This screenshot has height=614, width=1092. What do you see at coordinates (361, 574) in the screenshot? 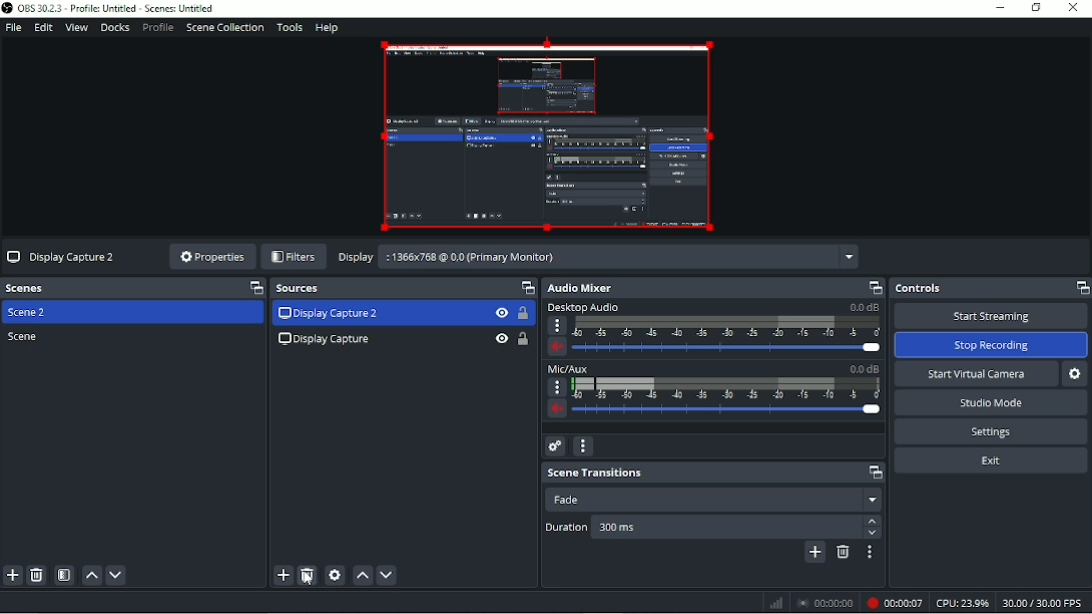
I see `Move source(s) up` at bounding box center [361, 574].